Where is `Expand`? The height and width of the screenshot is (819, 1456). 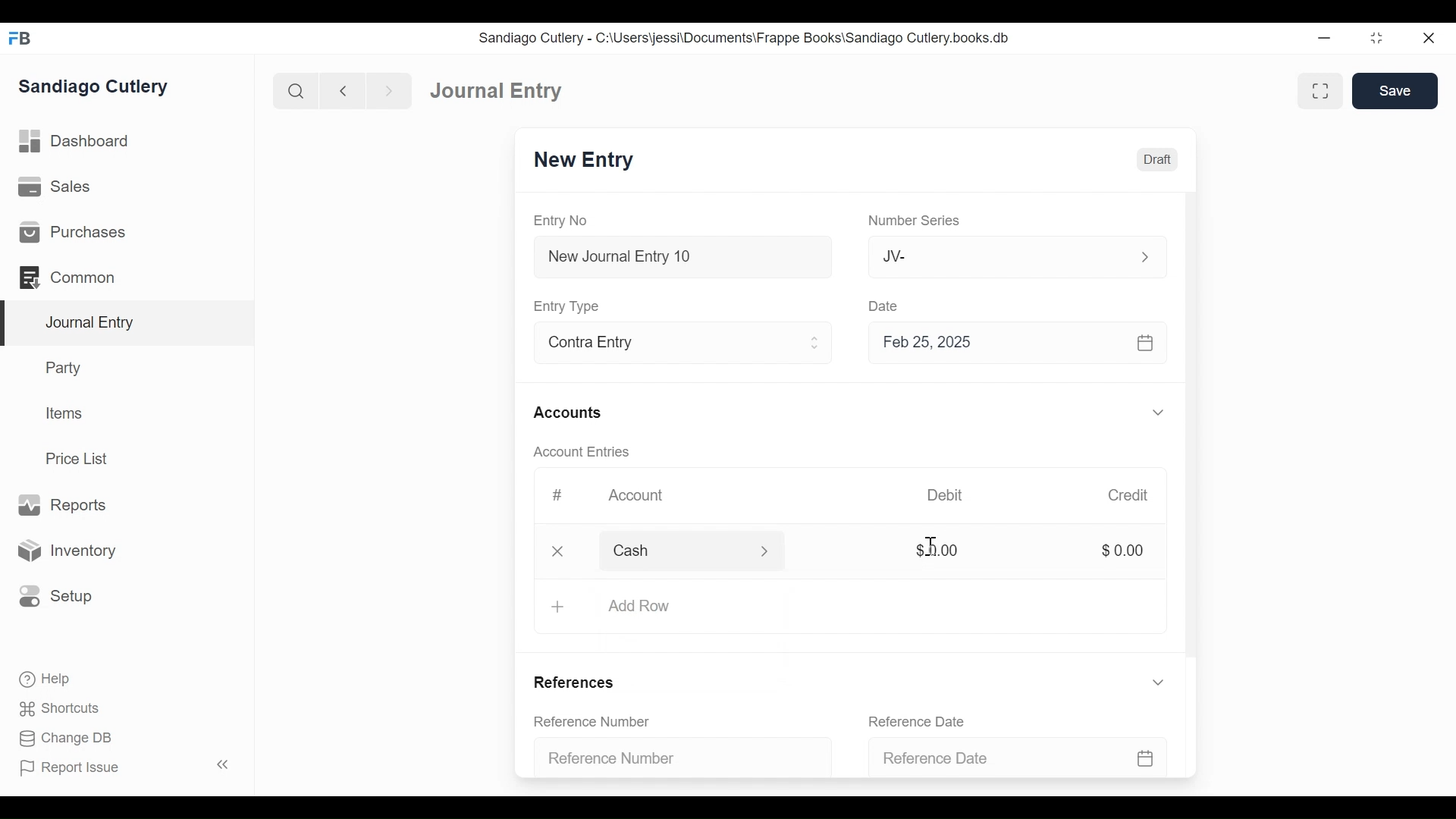
Expand is located at coordinates (816, 345).